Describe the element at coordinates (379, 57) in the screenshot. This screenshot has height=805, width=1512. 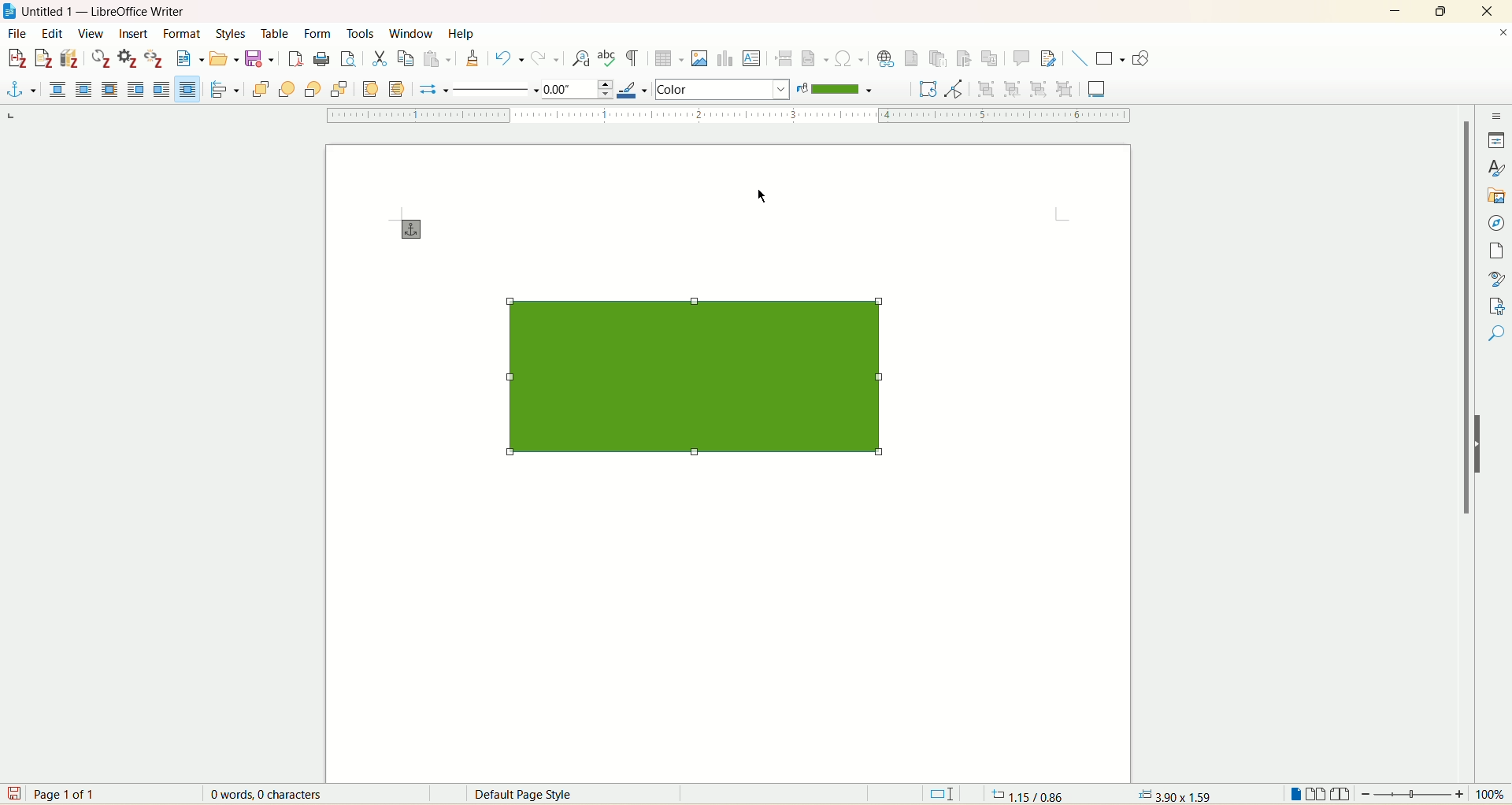
I see `cut` at that location.